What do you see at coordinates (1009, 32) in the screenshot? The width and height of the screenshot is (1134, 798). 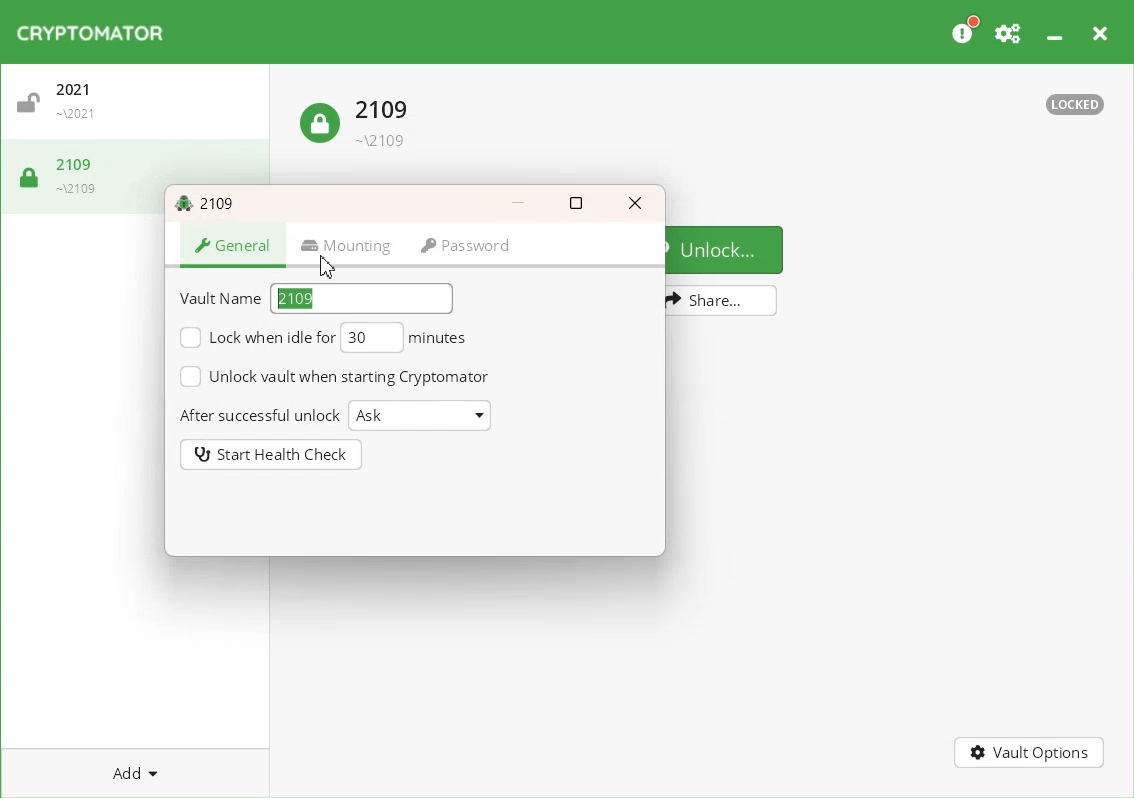 I see `Preferences` at bounding box center [1009, 32].